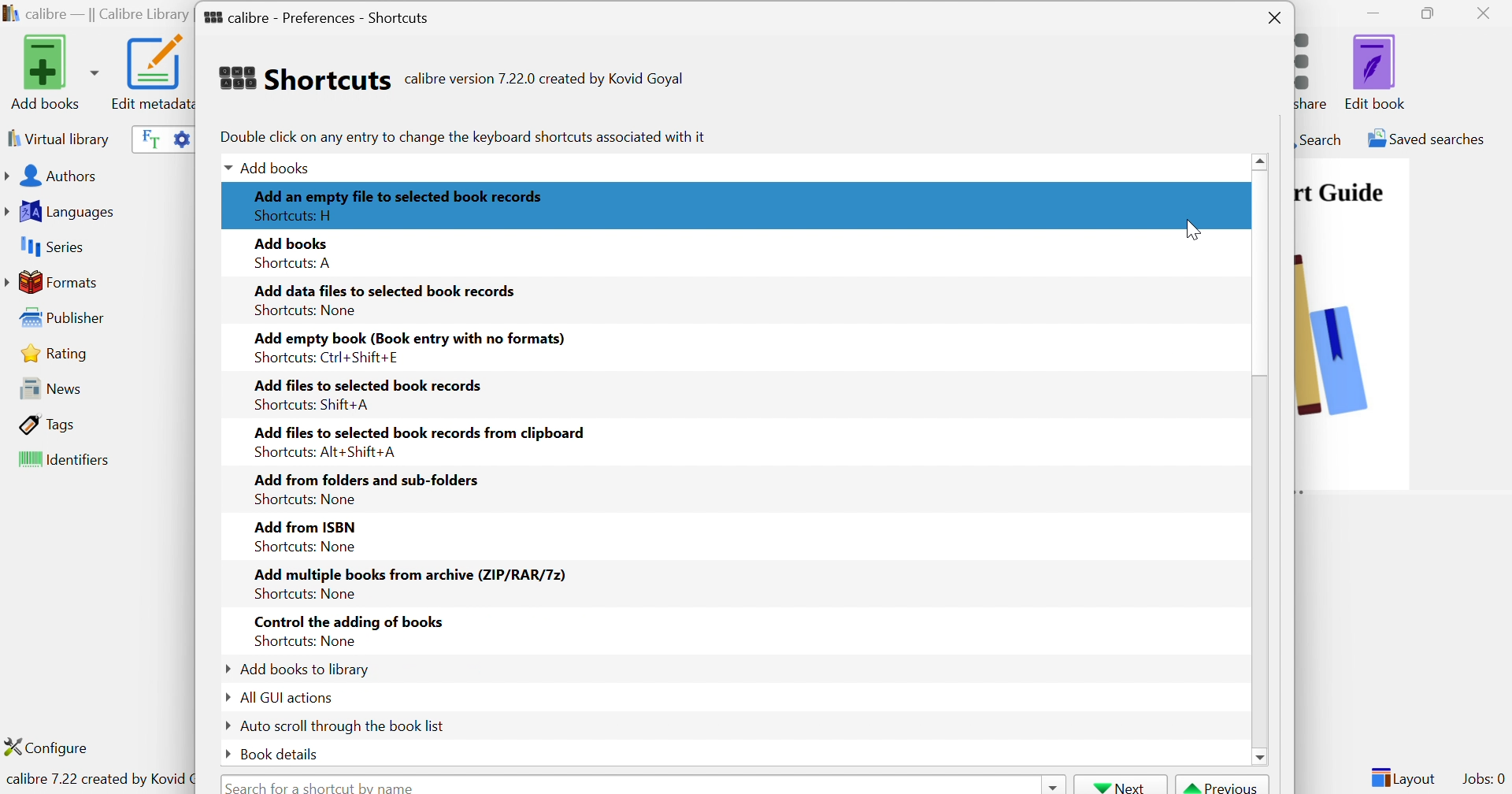  Describe the element at coordinates (1340, 192) in the screenshot. I see `Quick Start Guide` at that location.